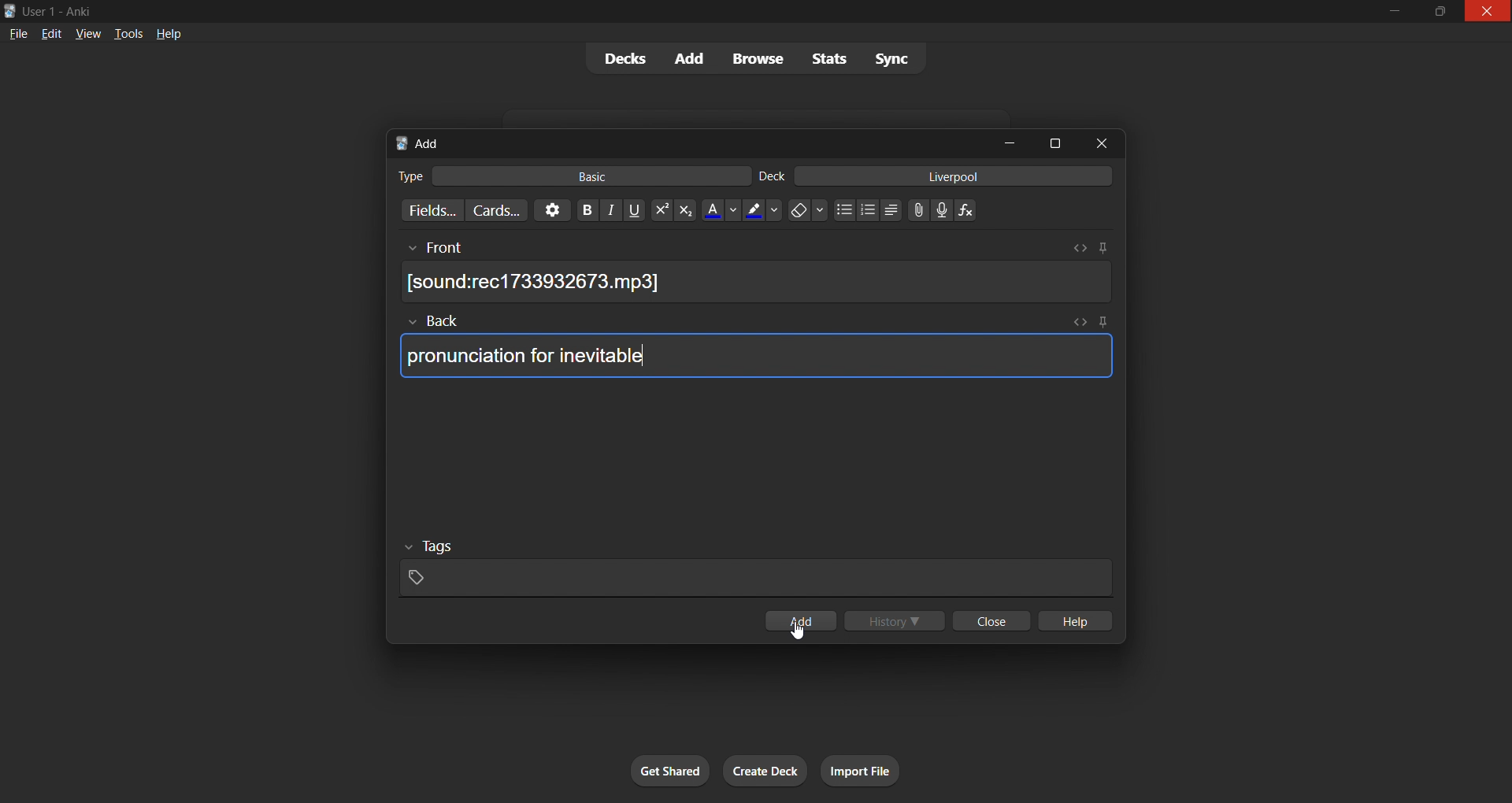 This screenshot has width=1512, height=803. I want to click on subscript, so click(685, 211).